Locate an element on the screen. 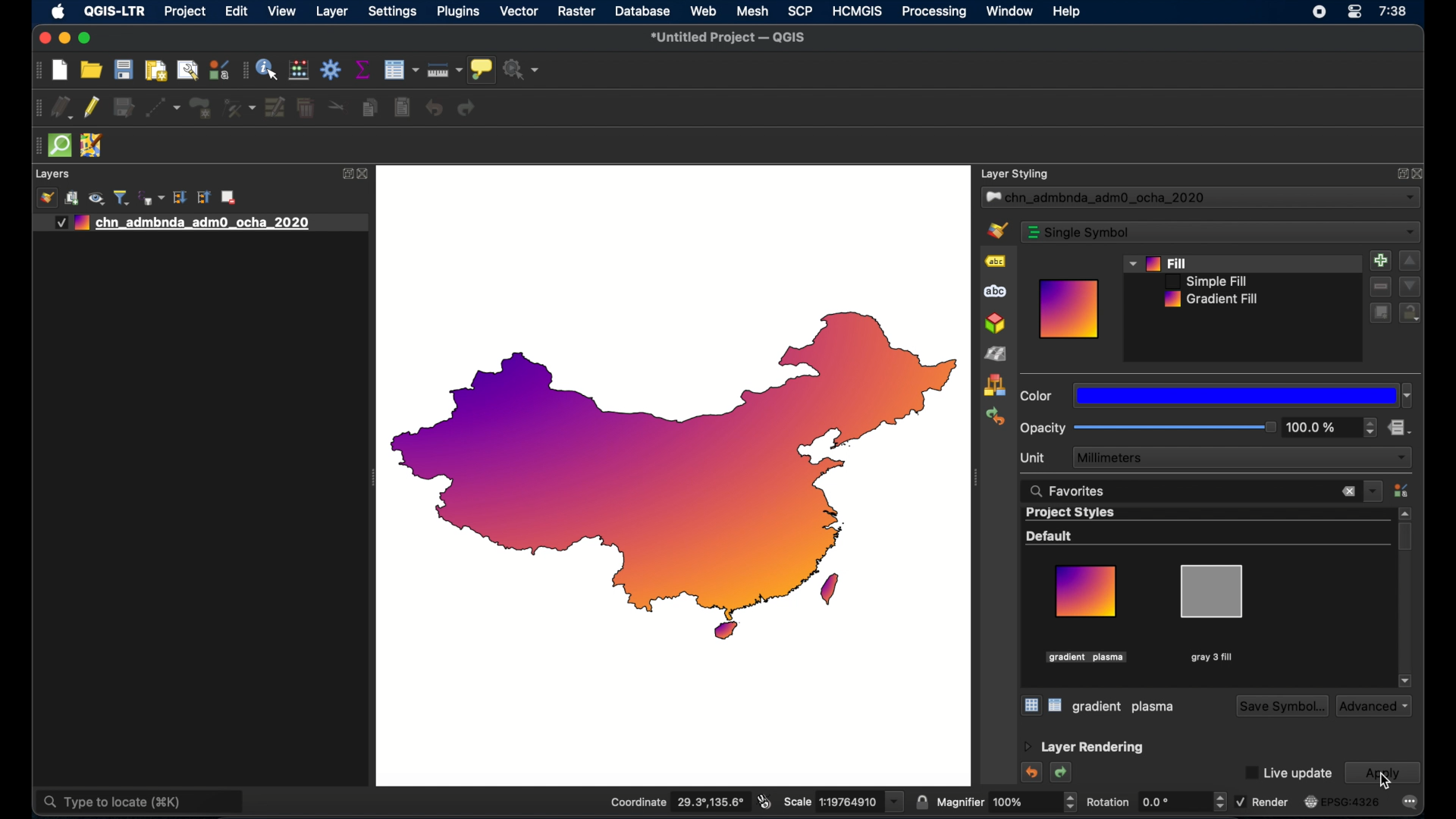 This screenshot has height=819, width=1456. layer dropdown is located at coordinates (1200, 198).